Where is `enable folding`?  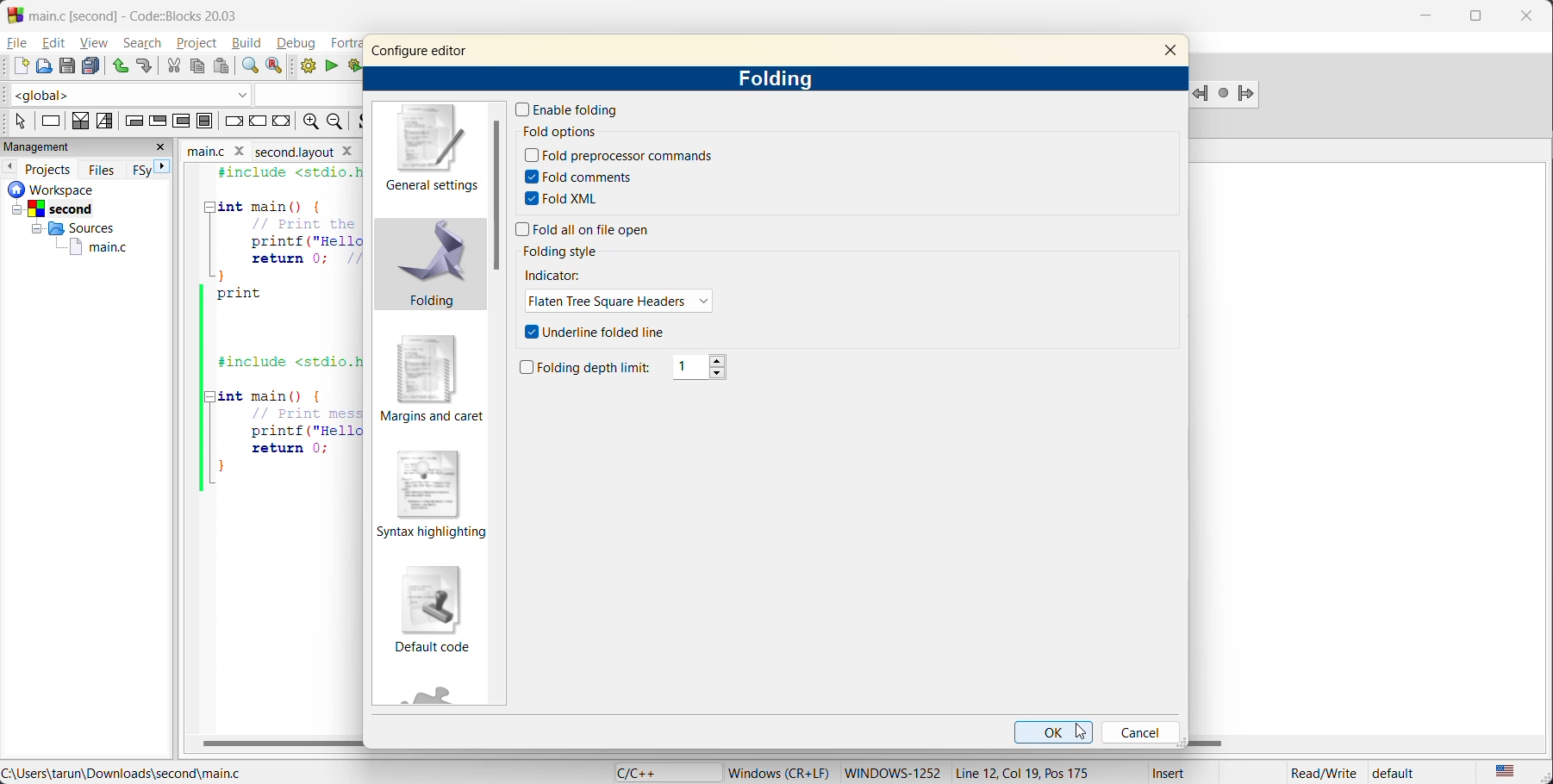
enable folding is located at coordinates (568, 107).